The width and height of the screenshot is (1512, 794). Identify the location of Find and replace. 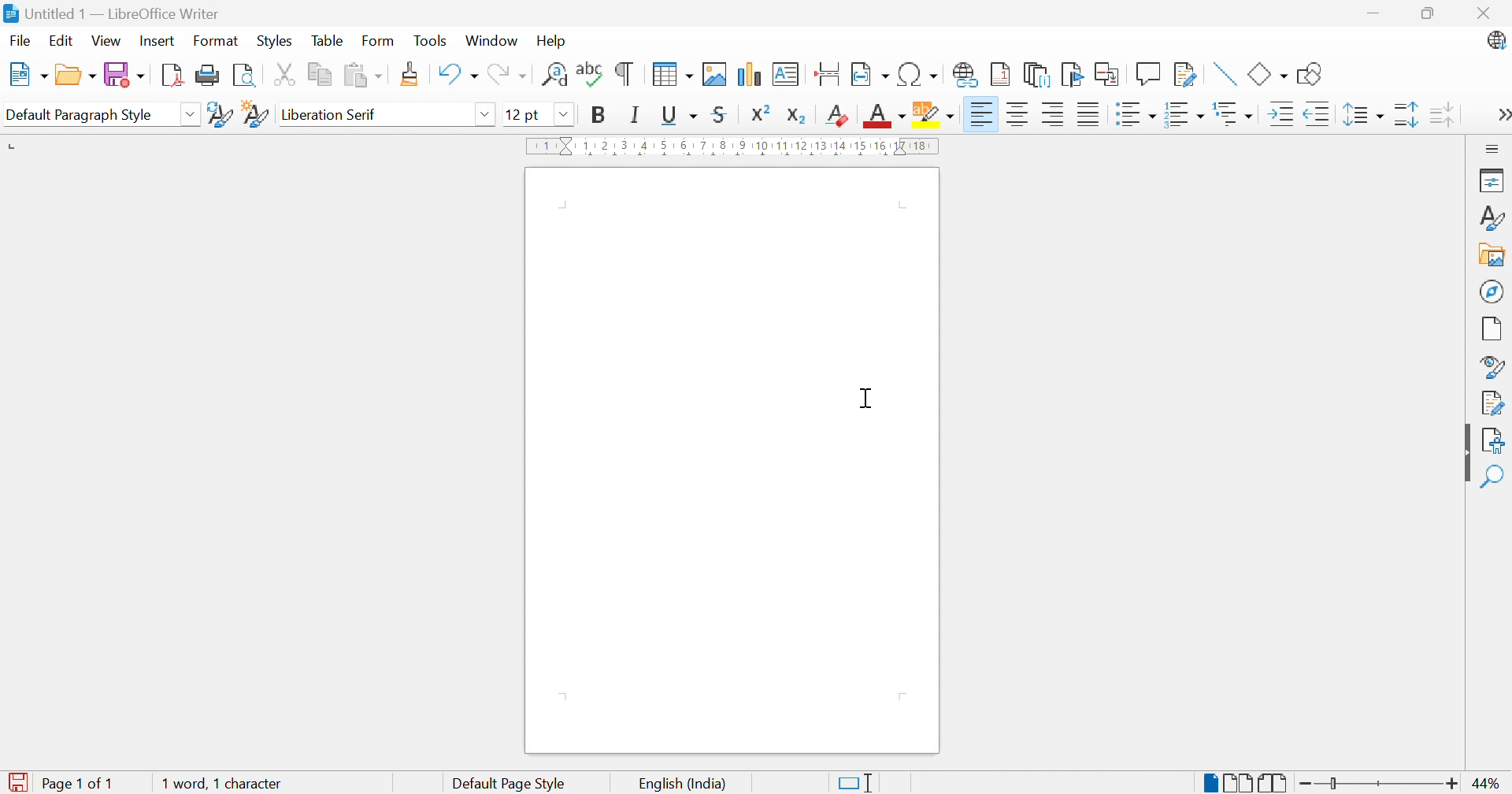
(553, 76).